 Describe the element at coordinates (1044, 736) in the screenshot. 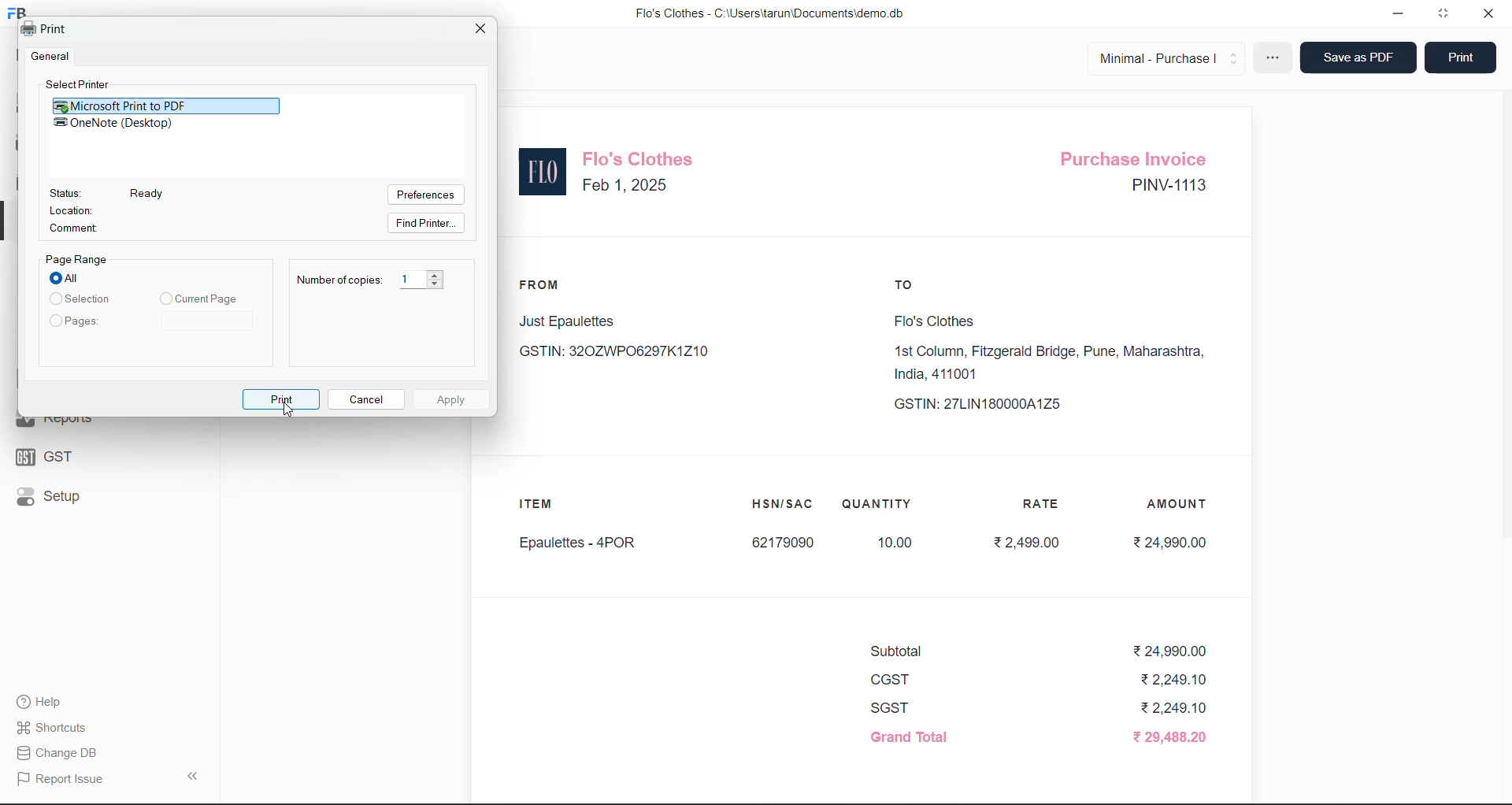

I see `Grand Total ₹ 29,488.20` at that location.